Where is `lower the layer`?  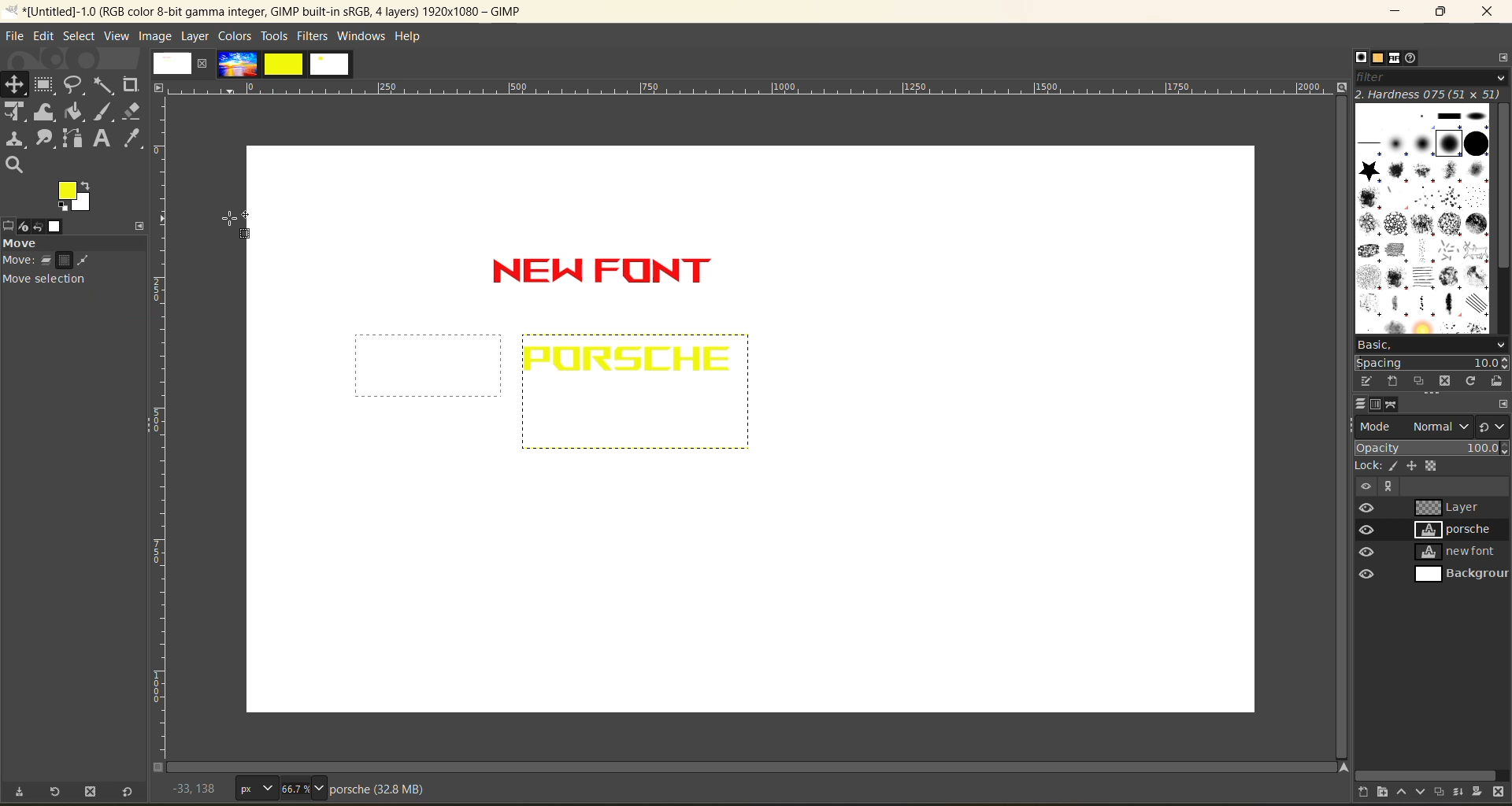
lower the layer is located at coordinates (1420, 790).